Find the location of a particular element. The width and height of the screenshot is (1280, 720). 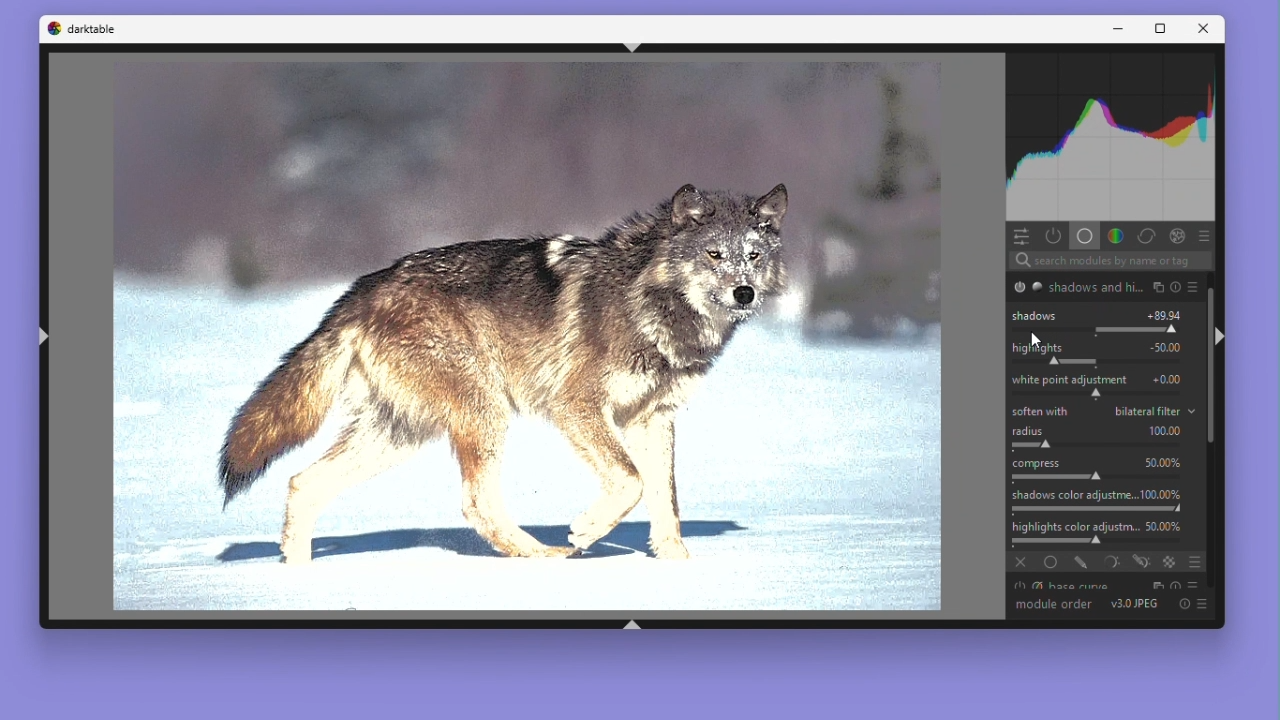

-50.00 is located at coordinates (1165, 347).